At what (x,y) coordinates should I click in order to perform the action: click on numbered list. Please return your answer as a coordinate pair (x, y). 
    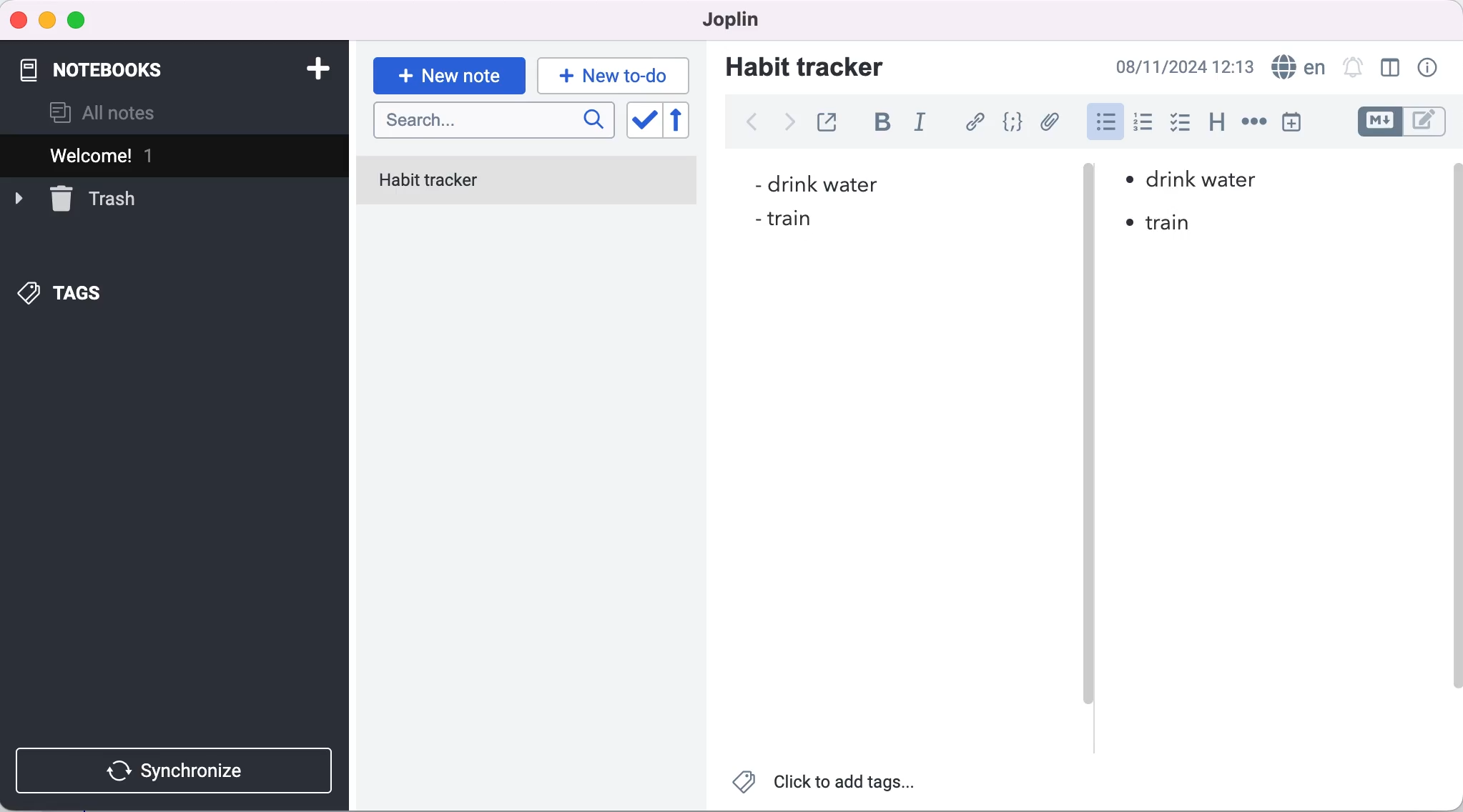
    Looking at the image, I should click on (1147, 124).